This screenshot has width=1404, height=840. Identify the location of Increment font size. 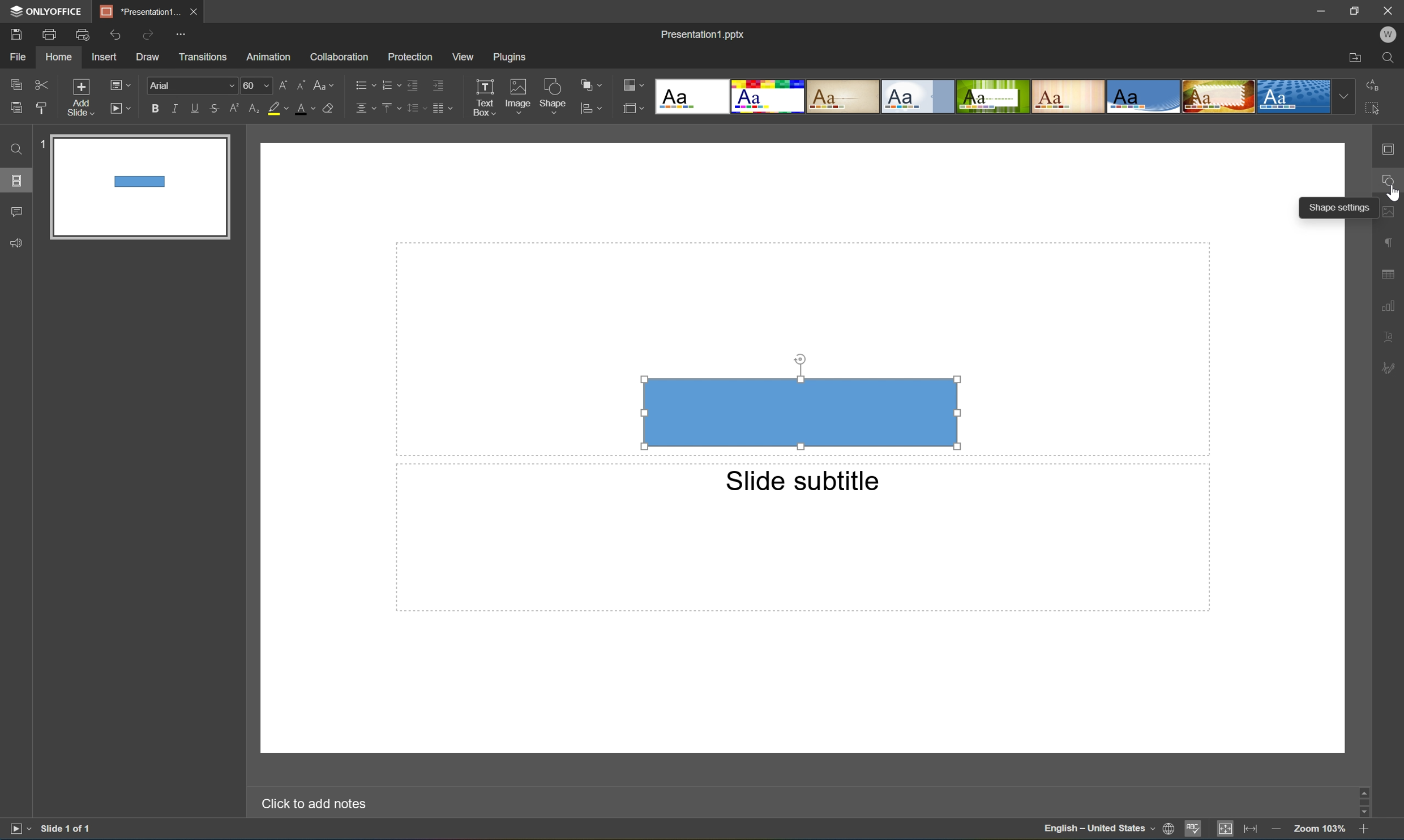
(281, 84).